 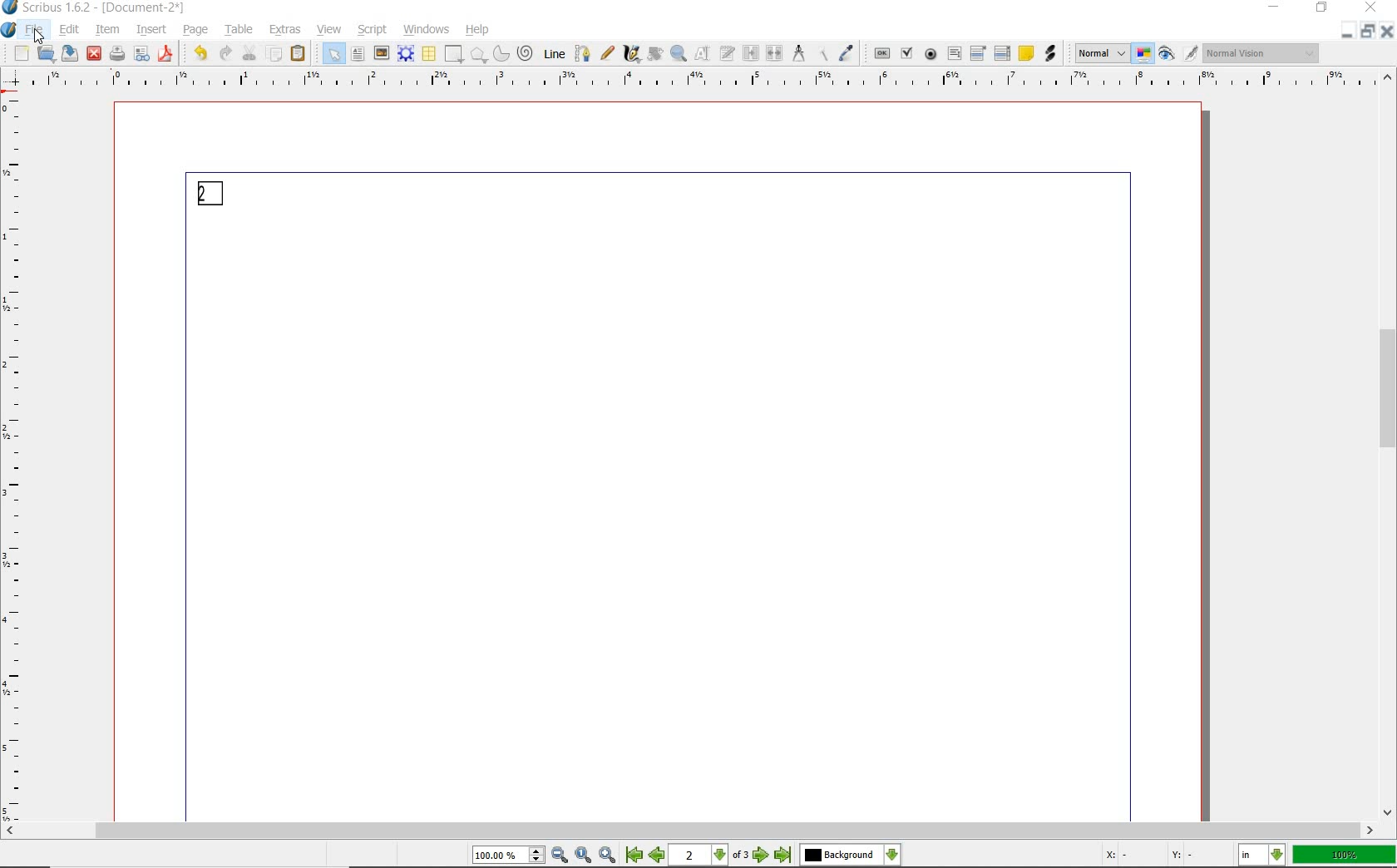 What do you see at coordinates (1369, 33) in the screenshot?
I see `Minimize` at bounding box center [1369, 33].